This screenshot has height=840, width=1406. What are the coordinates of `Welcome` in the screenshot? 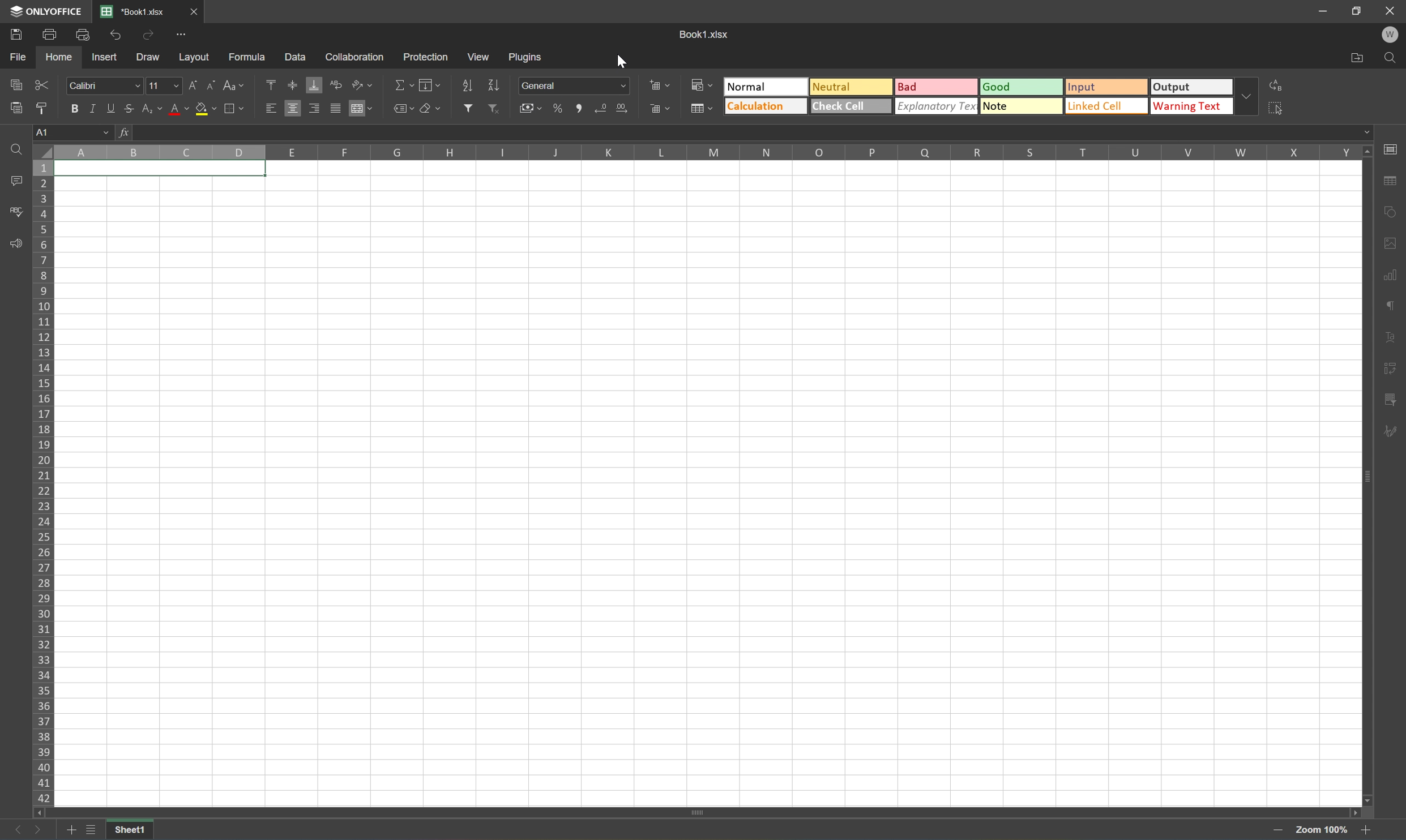 It's located at (1394, 36).